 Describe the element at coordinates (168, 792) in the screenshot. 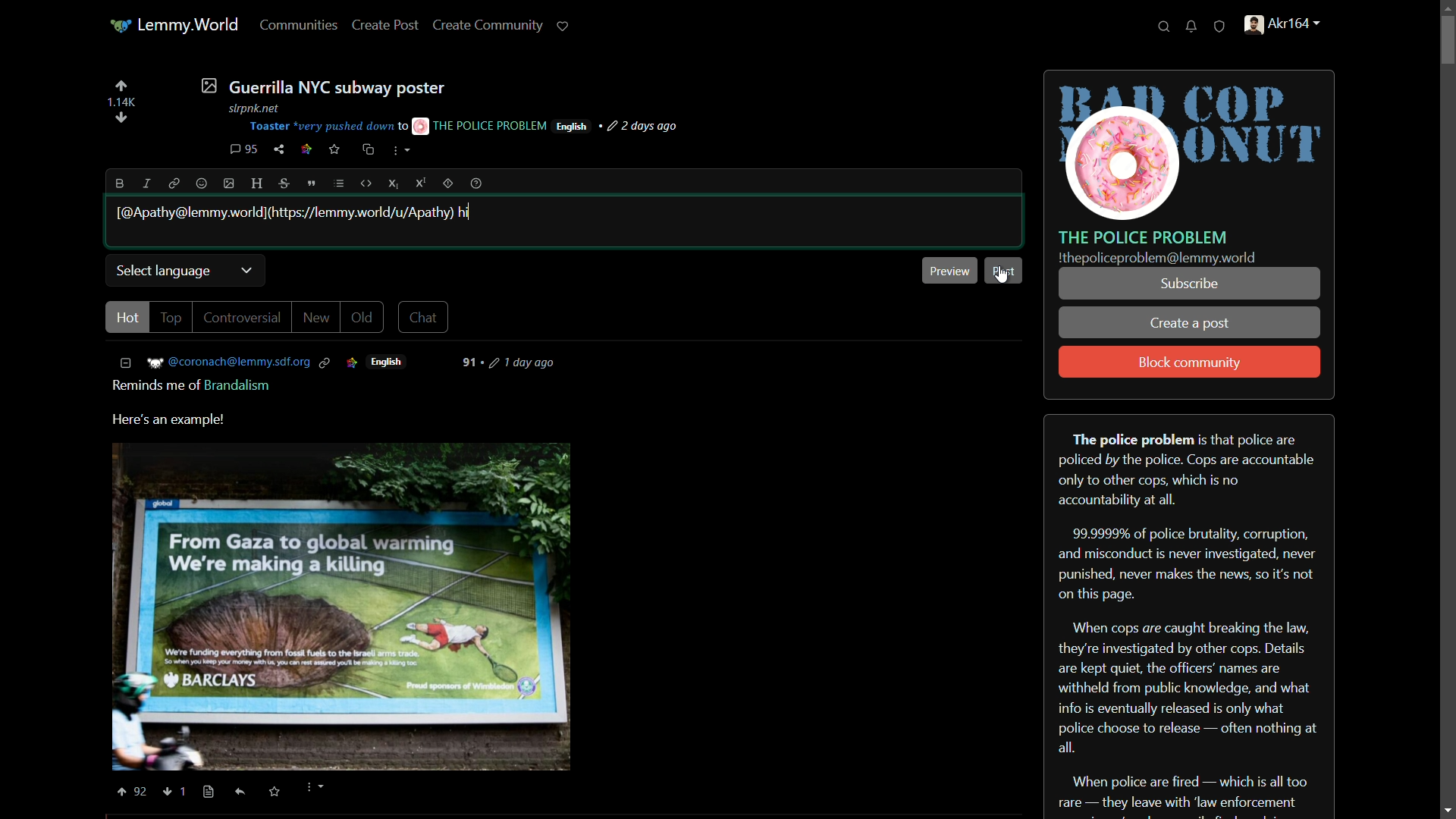

I see `` at that location.